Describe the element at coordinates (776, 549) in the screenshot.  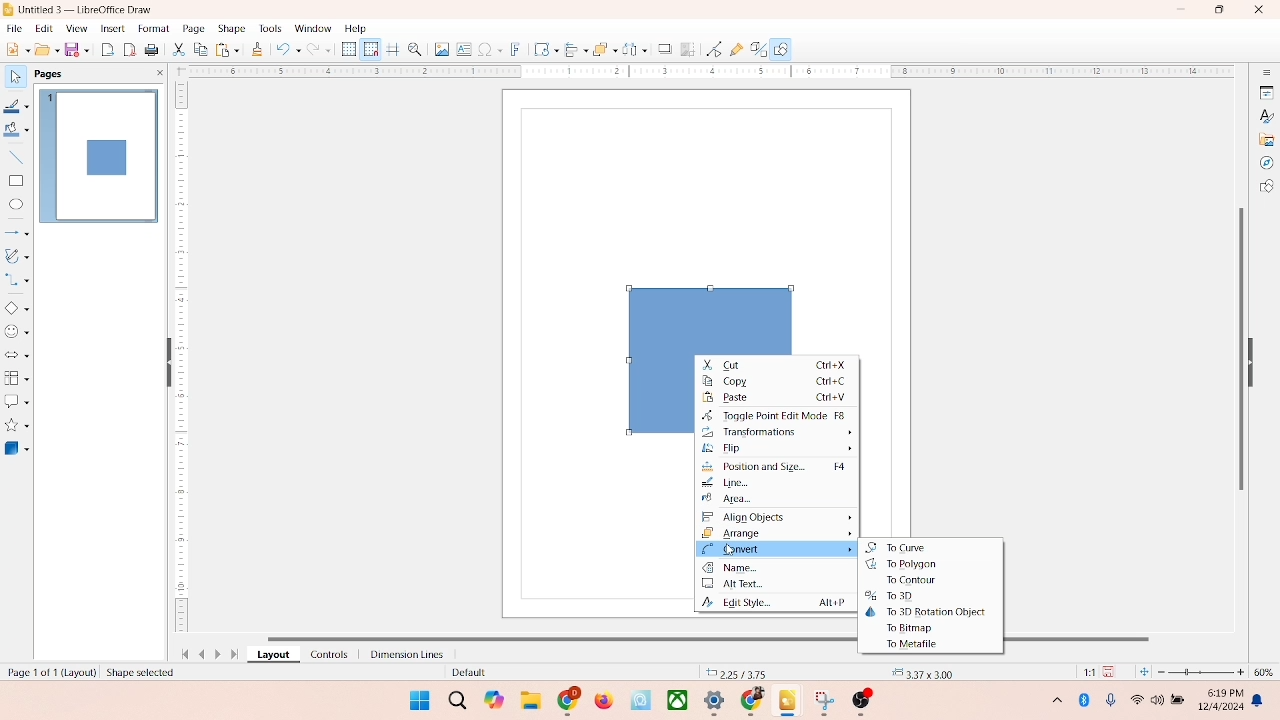
I see `insert` at that location.